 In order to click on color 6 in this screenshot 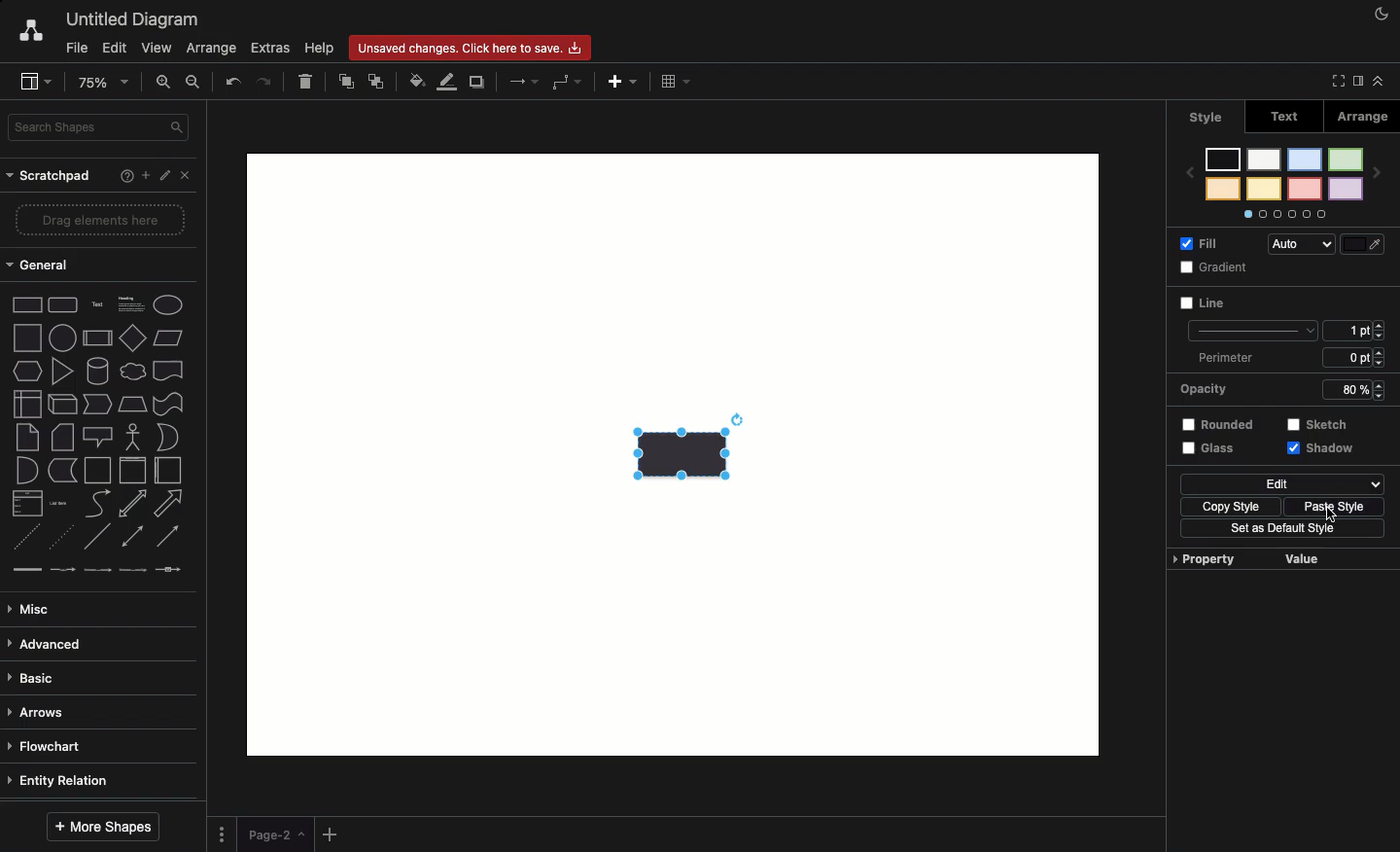, I will do `click(1263, 190)`.